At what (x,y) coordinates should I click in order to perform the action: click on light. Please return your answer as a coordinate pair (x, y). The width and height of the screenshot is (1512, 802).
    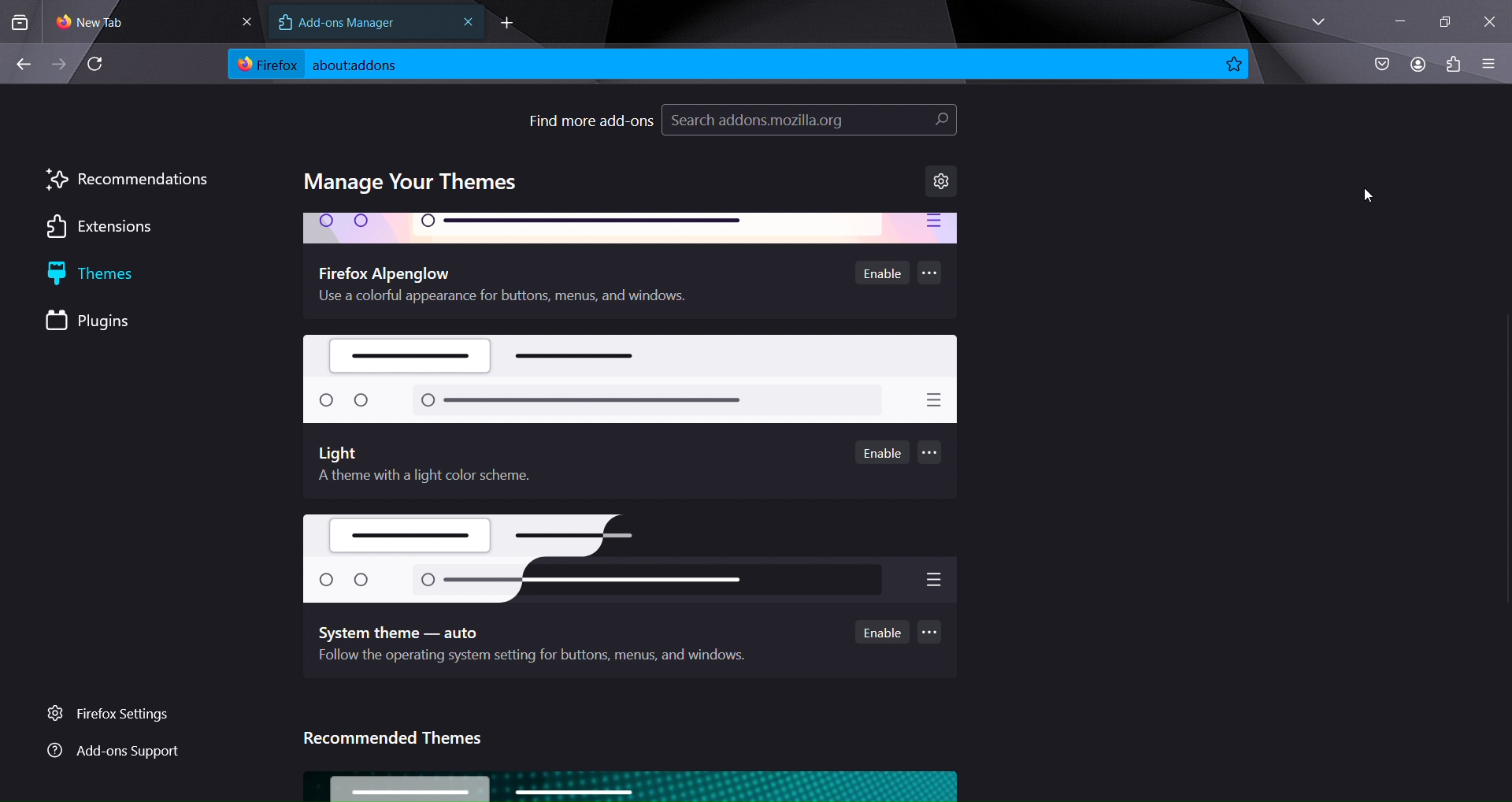
    Looking at the image, I should click on (633, 379).